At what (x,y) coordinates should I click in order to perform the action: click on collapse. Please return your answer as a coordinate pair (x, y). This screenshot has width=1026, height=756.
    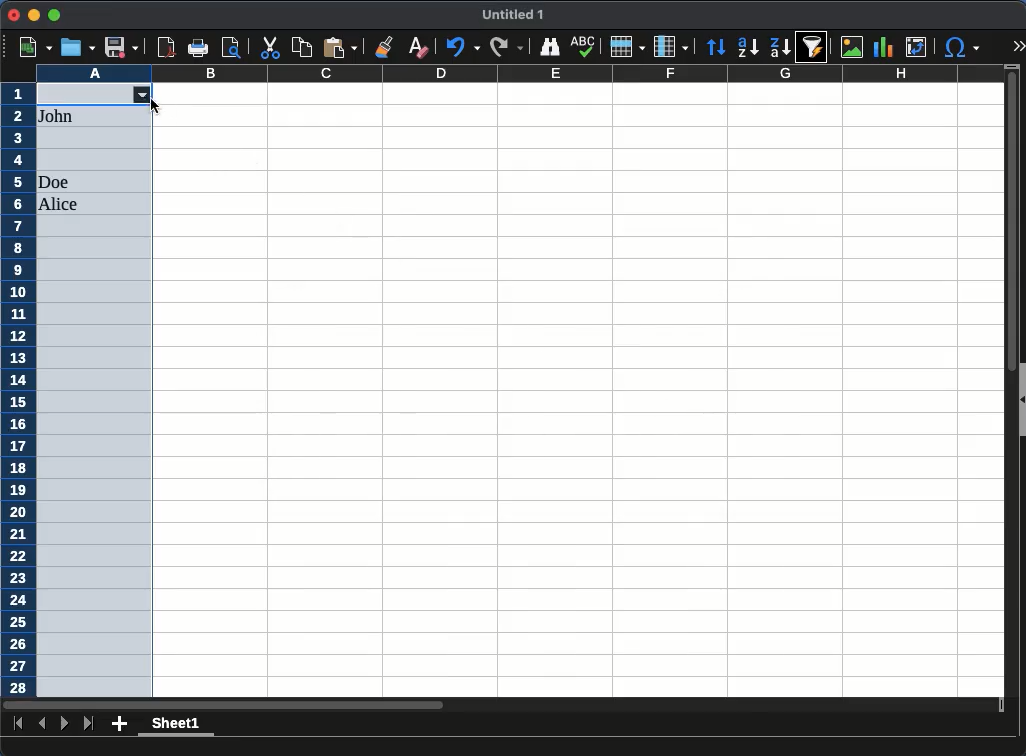
    Looking at the image, I should click on (1020, 400).